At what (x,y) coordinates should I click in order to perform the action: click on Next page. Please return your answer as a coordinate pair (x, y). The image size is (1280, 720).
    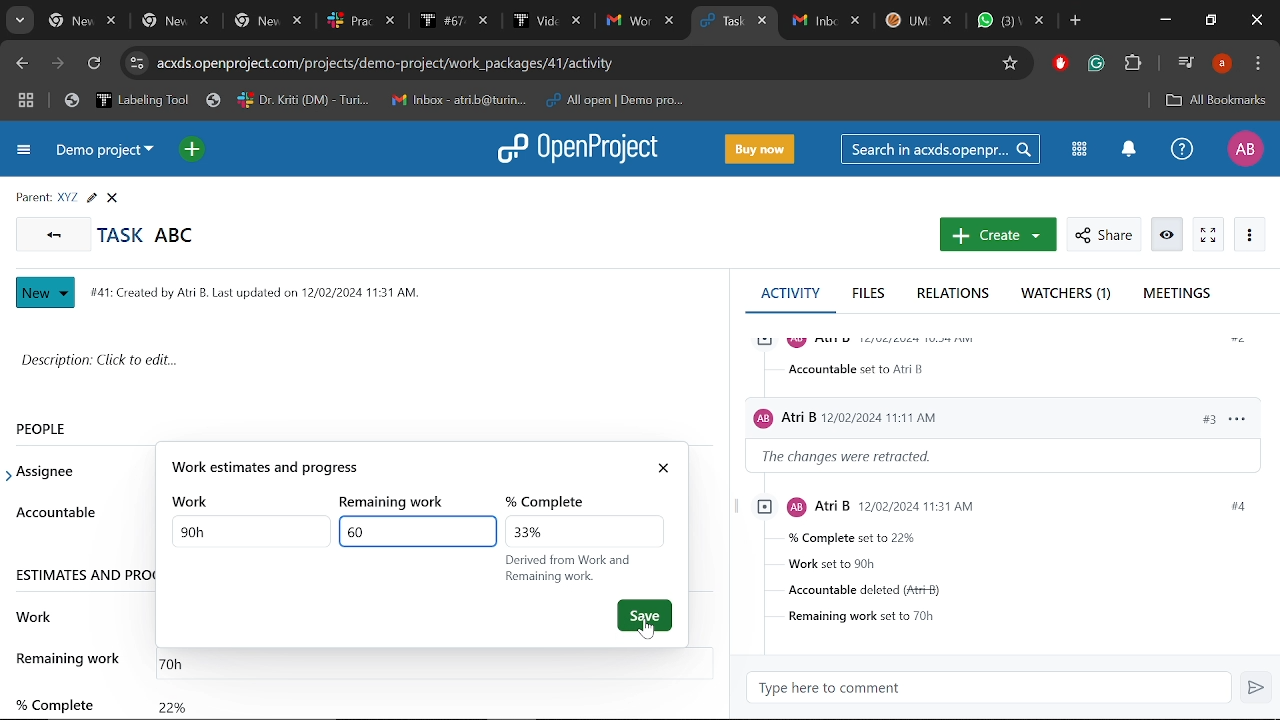
    Looking at the image, I should click on (61, 65).